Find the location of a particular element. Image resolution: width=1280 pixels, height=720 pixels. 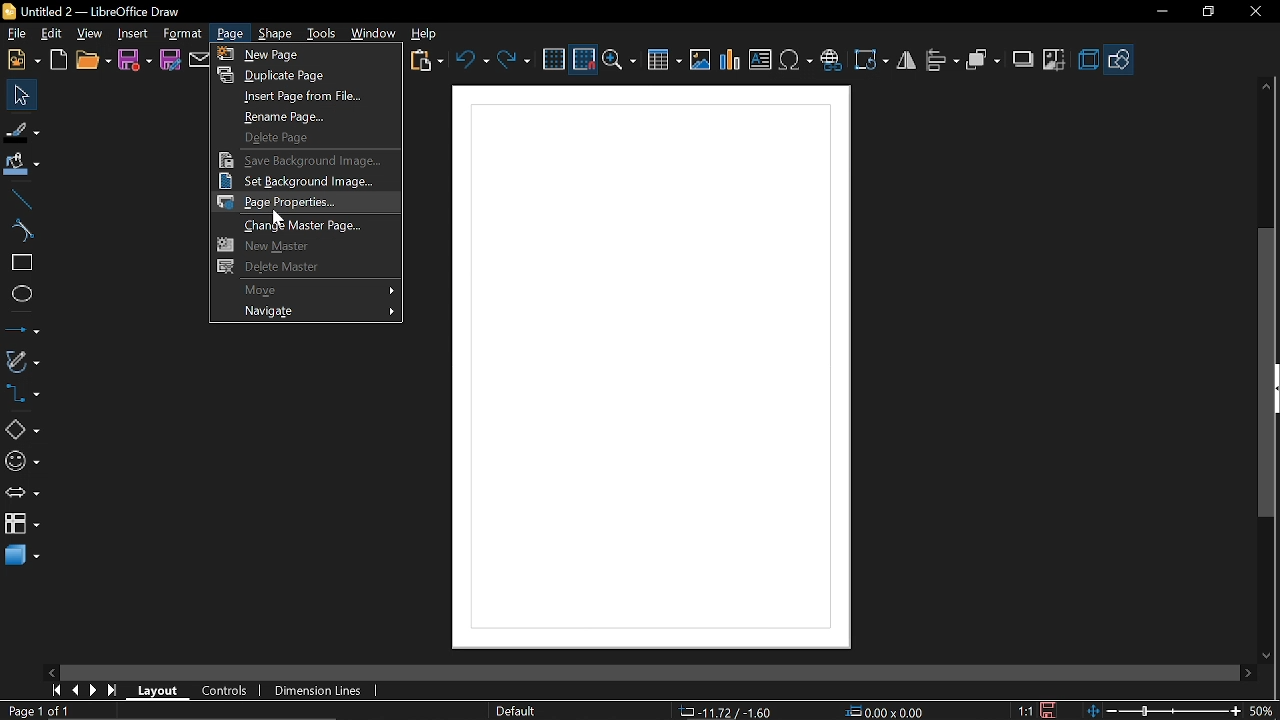

Current zoom is located at coordinates (1263, 710).